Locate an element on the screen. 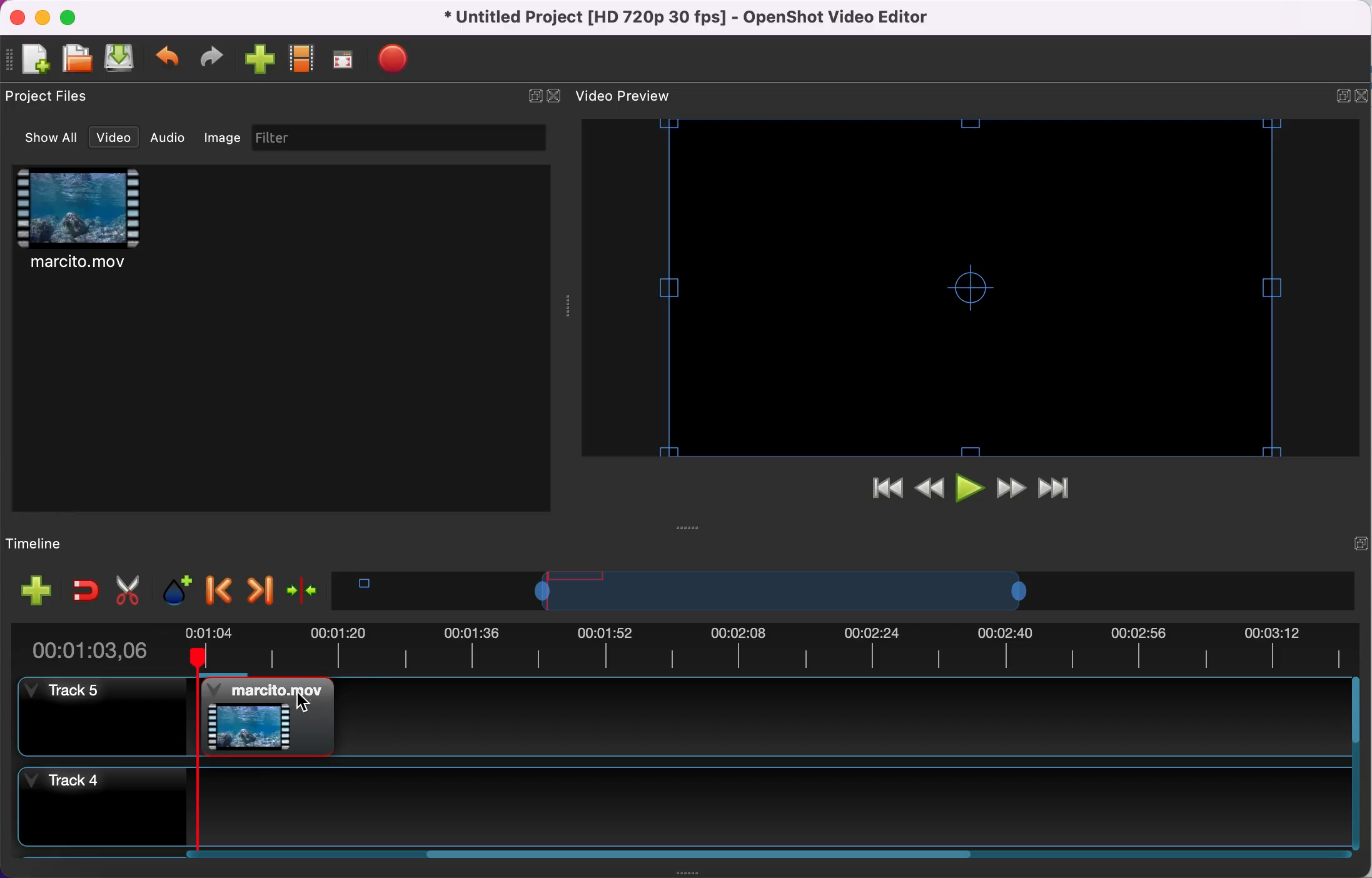 This screenshot has height=878, width=1372. Cursor is located at coordinates (303, 704).